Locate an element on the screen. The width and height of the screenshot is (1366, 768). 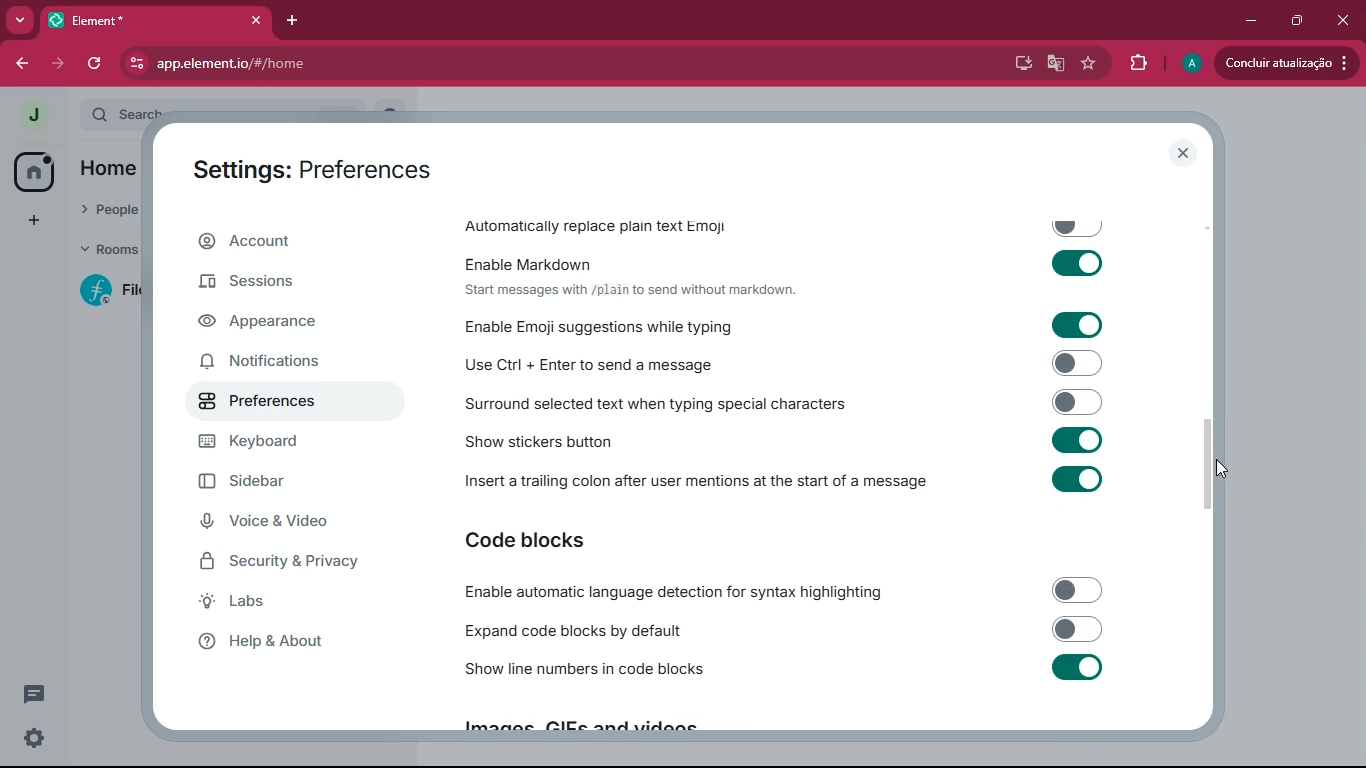
Use Ctrl + Enter to send a message is located at coordinates (788, 362).